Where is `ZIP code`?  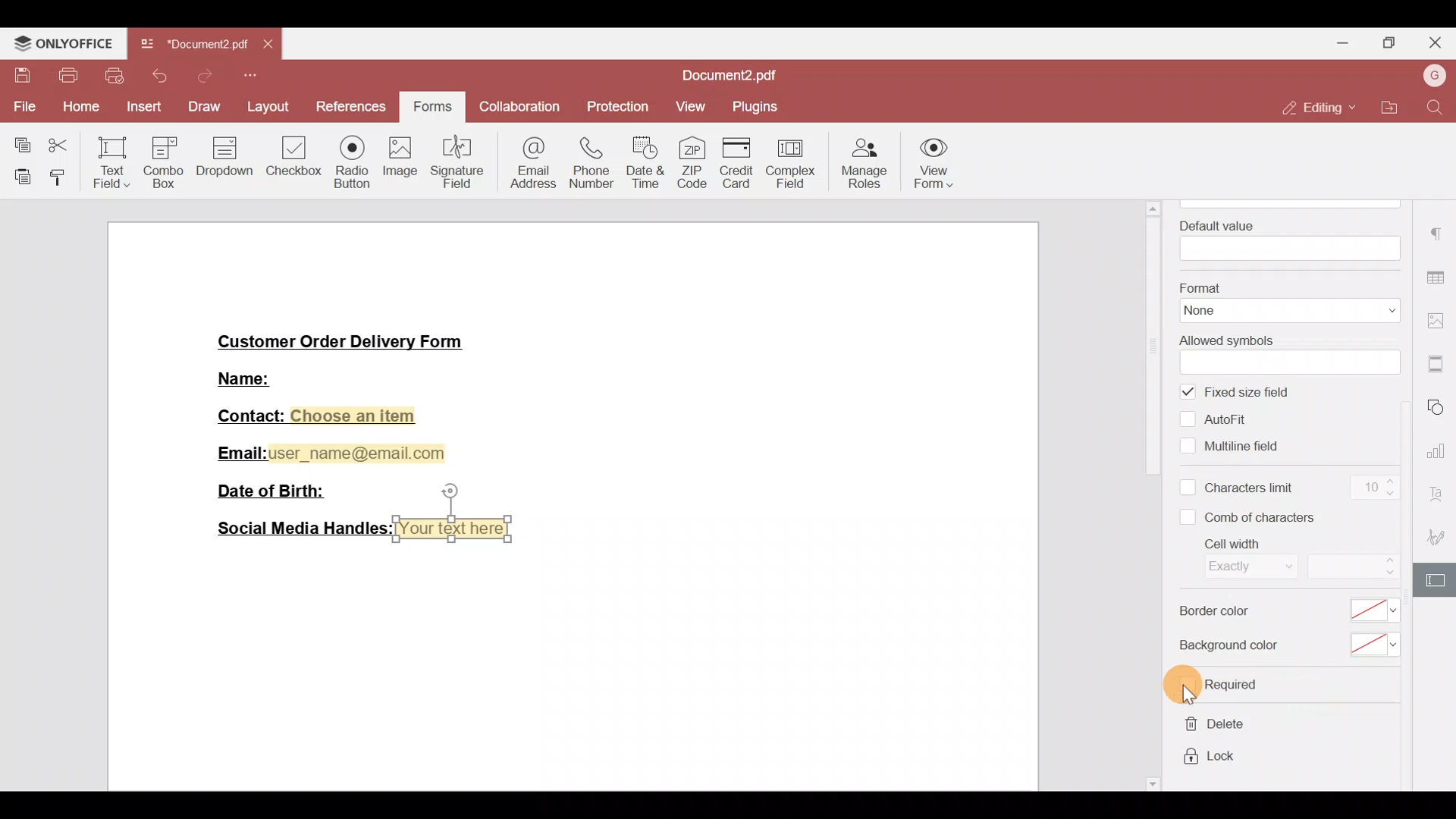 ZIP code is located at coordinates (692, 159).